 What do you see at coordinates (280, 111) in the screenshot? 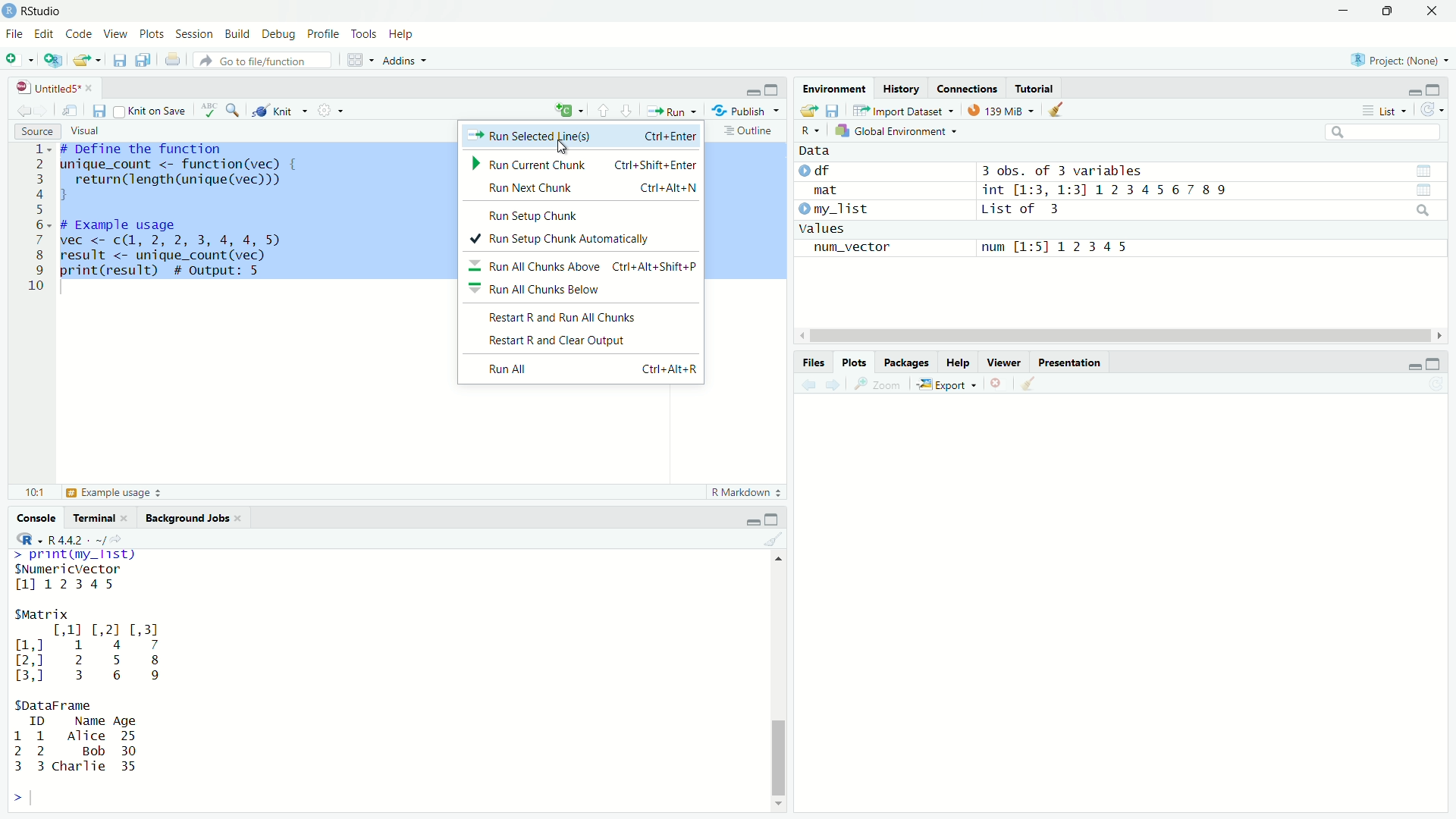
I see `knit` at bounding box center [280, 111].